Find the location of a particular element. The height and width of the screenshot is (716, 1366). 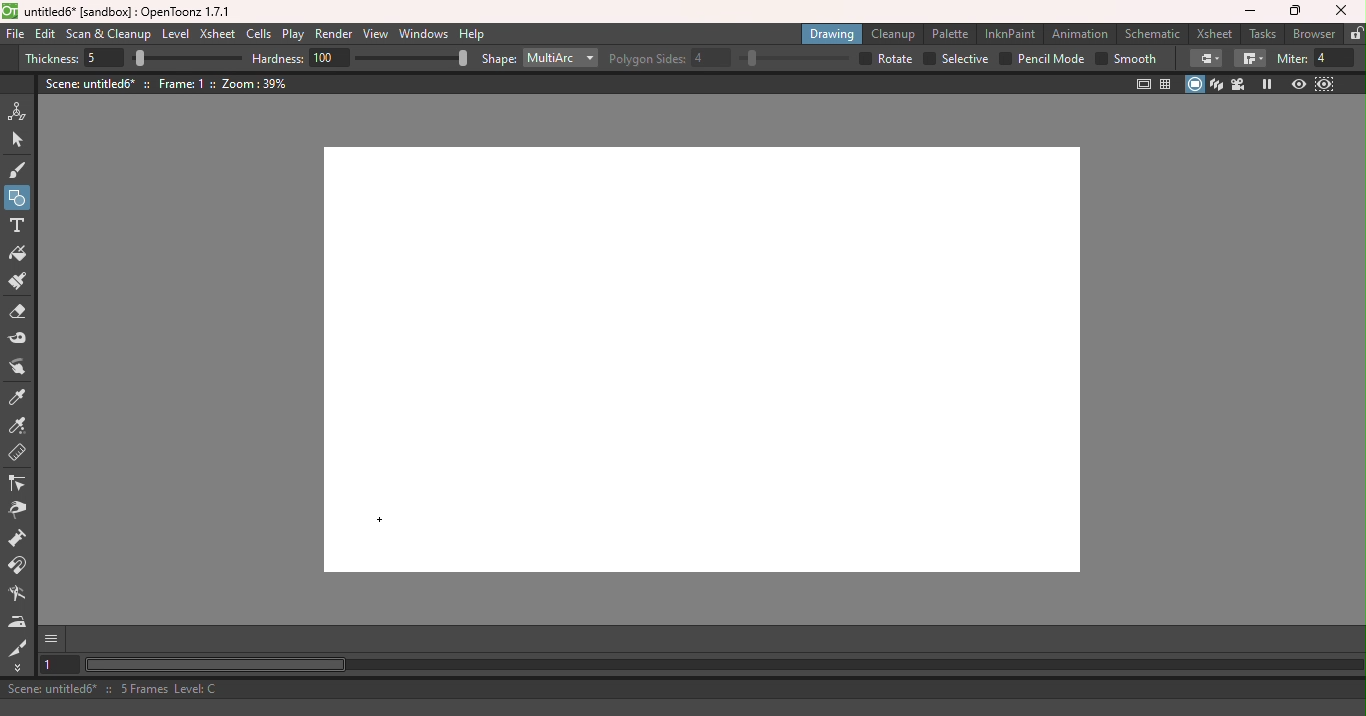

Canvas is located at coordinates (698, 356).